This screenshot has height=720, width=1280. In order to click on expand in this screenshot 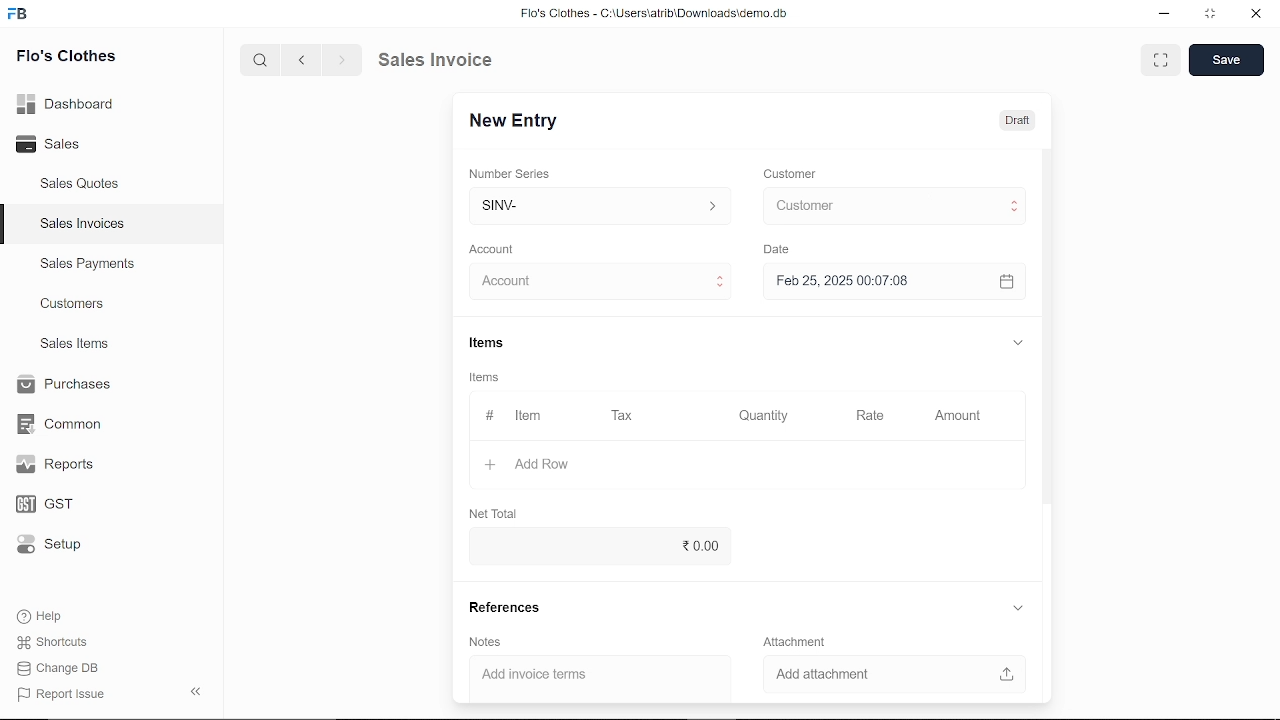, I will do `click(1020, 344)`.